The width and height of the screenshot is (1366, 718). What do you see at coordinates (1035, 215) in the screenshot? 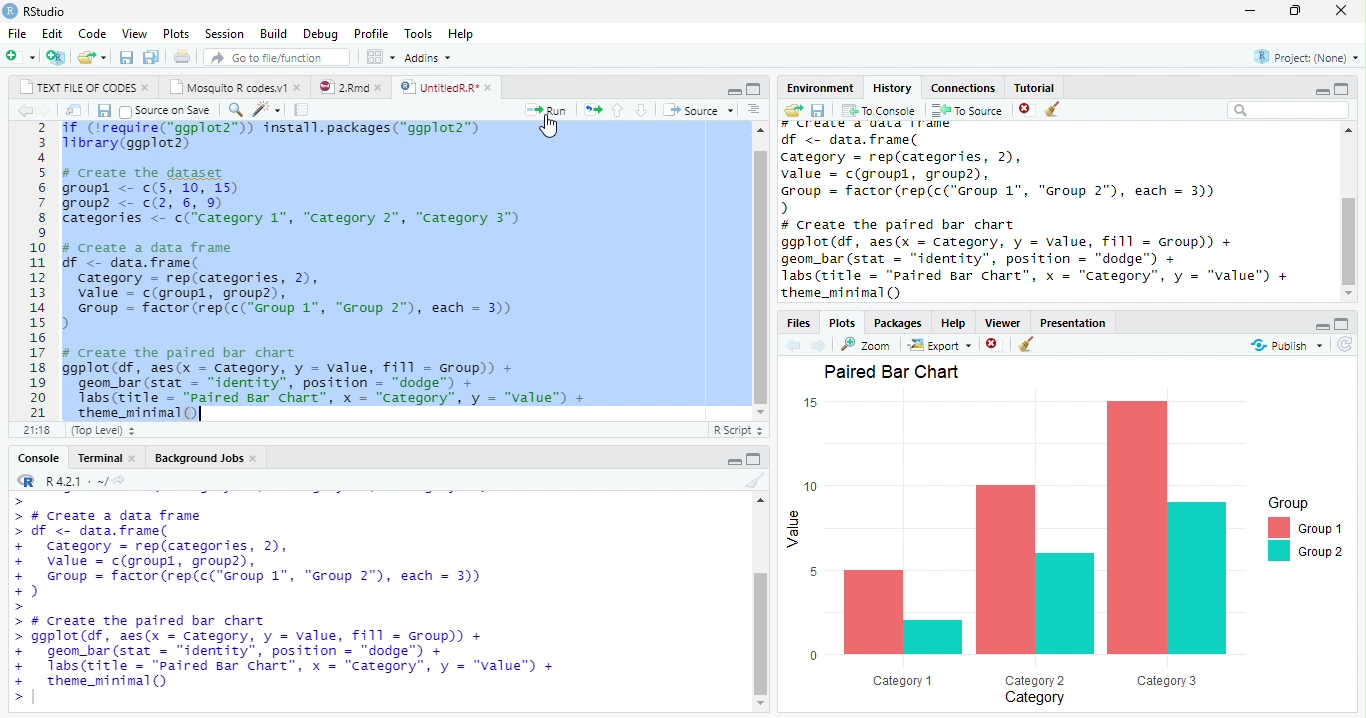
I see `df <- data. frame(

category = rep(categories, 2),

value = c(groupl, group),

Group = factor (rep(c("Group 1", "Group 2"), each = 3))

>

# Create the paired bar chart

ggplot(df, aes(x = Category, y = value, fill = Group)) +
geon_bar (stat = "identity", position = "dodge”) +

Tabs (title = "paired Bar chart”, x = "Category", y = "value") +
theme_minimal ()` at bounding box center [1035, 215].